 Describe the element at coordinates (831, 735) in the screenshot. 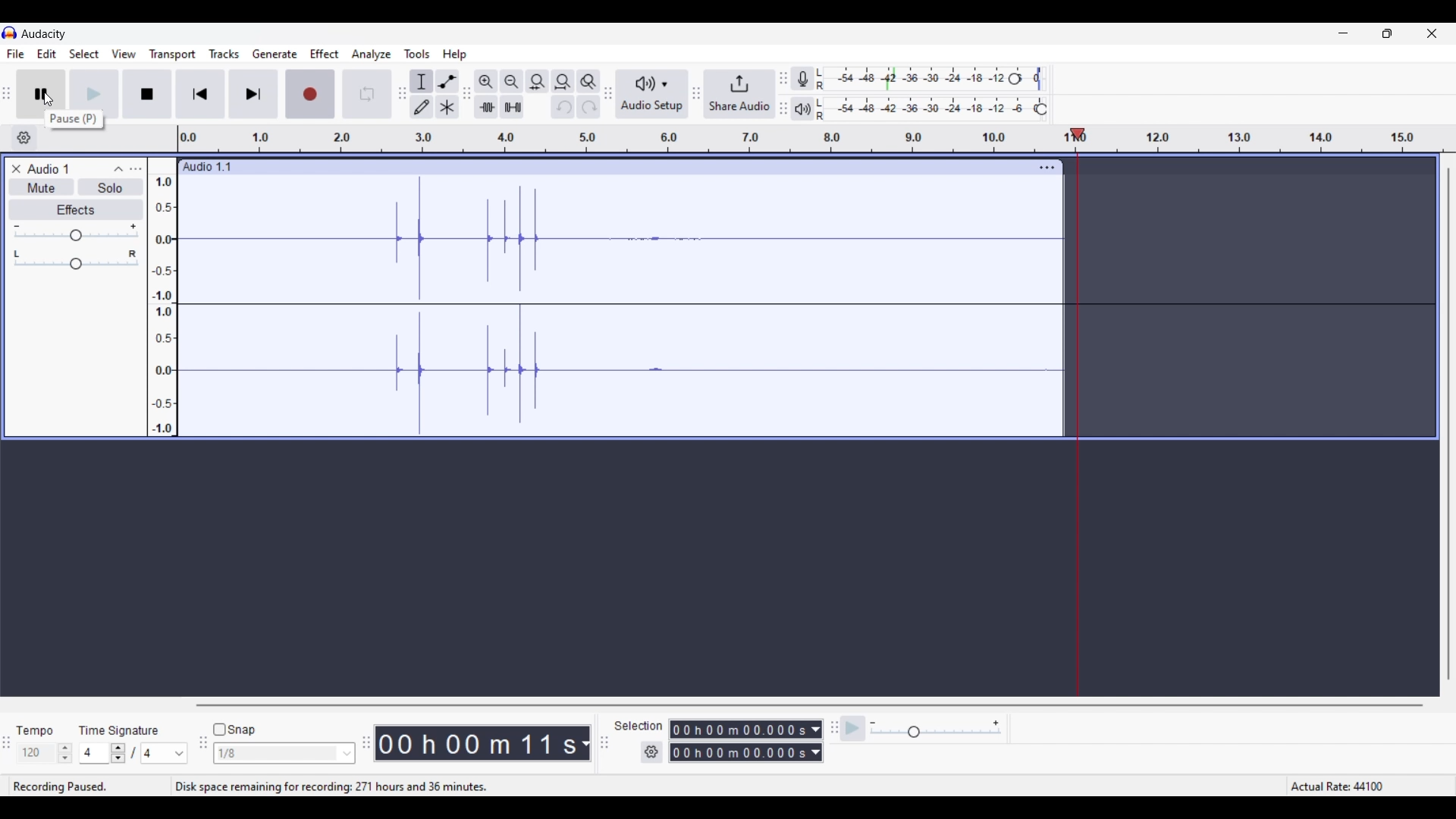

I see `toolbar` at that location.